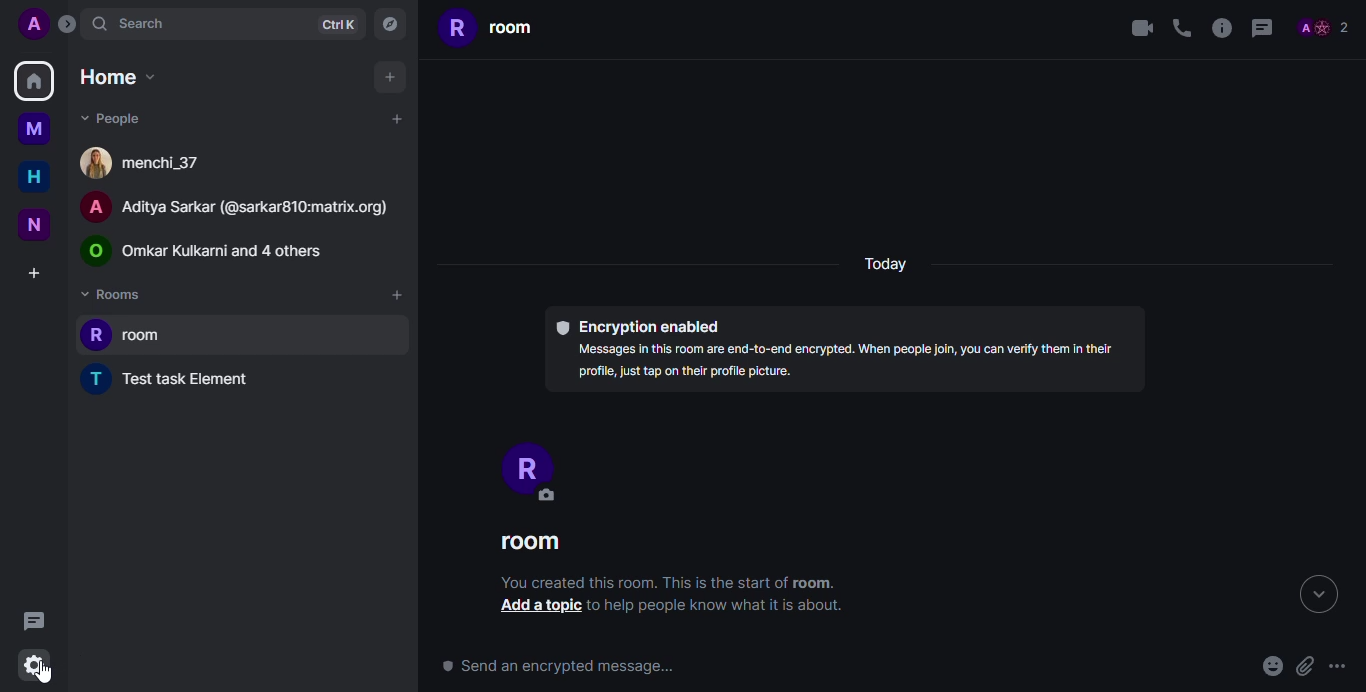 The image size is (1366, 692). I want to click on people dropdown, so click(113, 119).